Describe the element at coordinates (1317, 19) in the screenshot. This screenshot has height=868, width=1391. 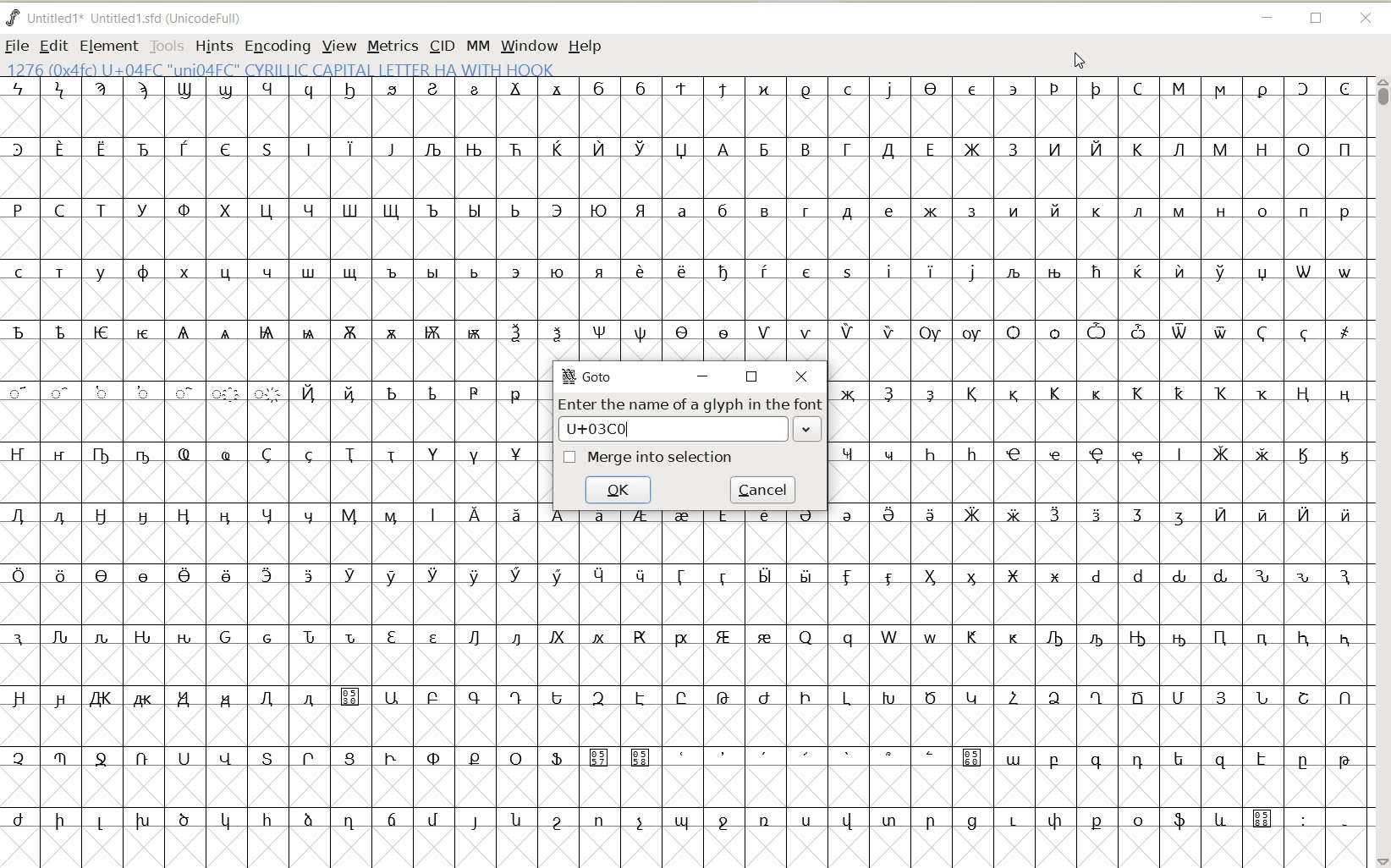
I see `RESTORE` at that location.